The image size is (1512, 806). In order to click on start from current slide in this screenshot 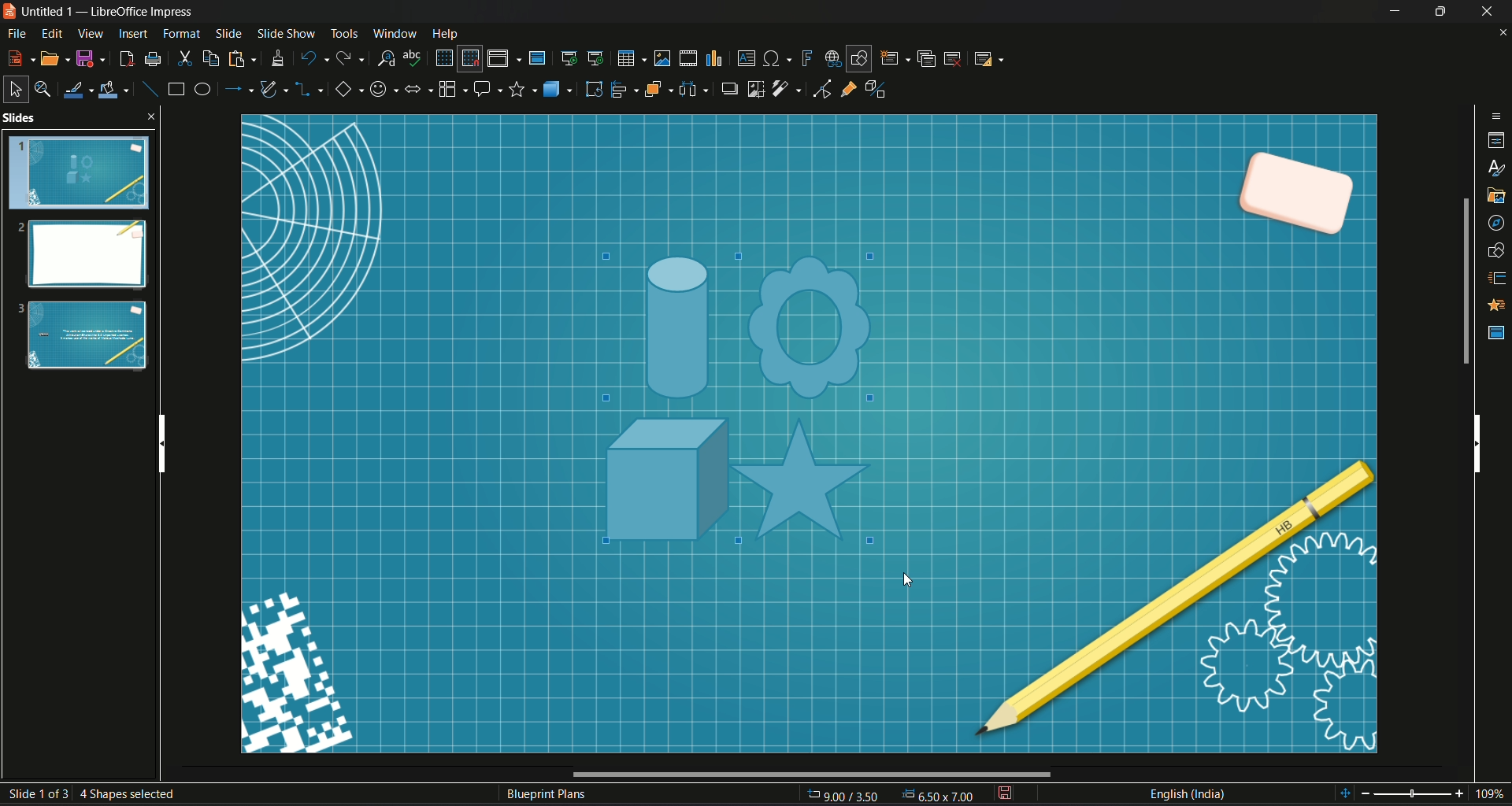, I will do `click(597, 58)`.